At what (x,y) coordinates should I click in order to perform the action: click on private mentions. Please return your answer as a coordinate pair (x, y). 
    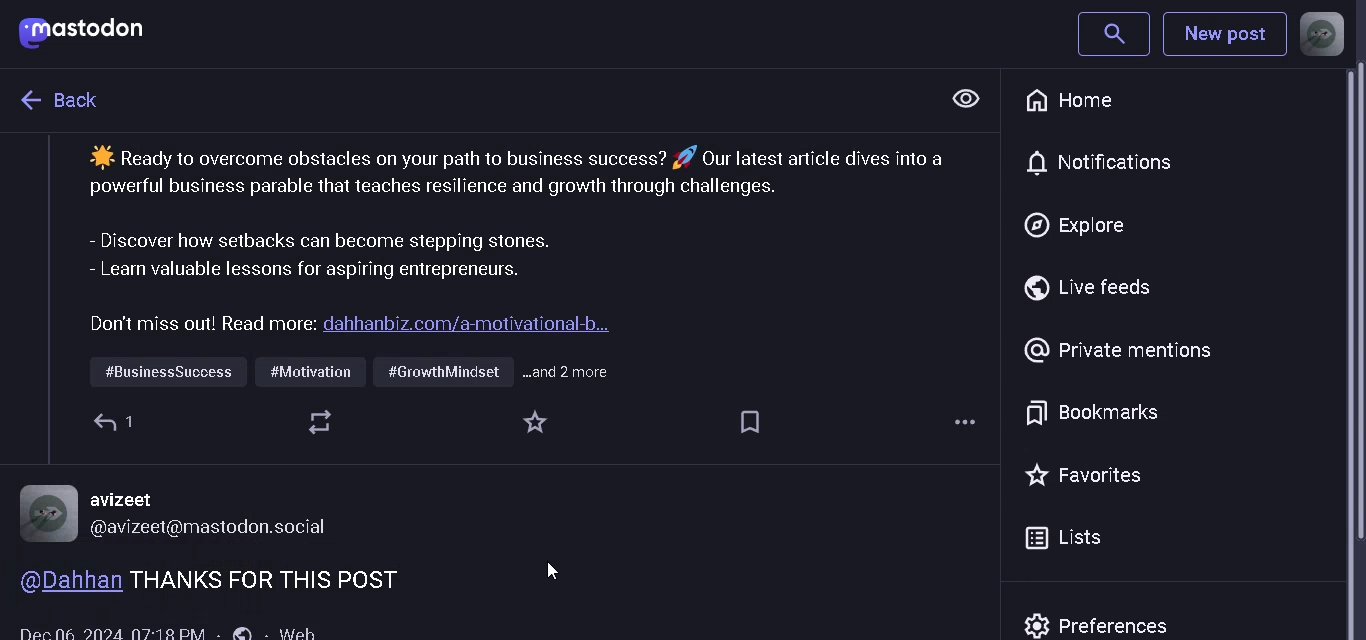
    Looking at the image, I should click on (1117, 349).